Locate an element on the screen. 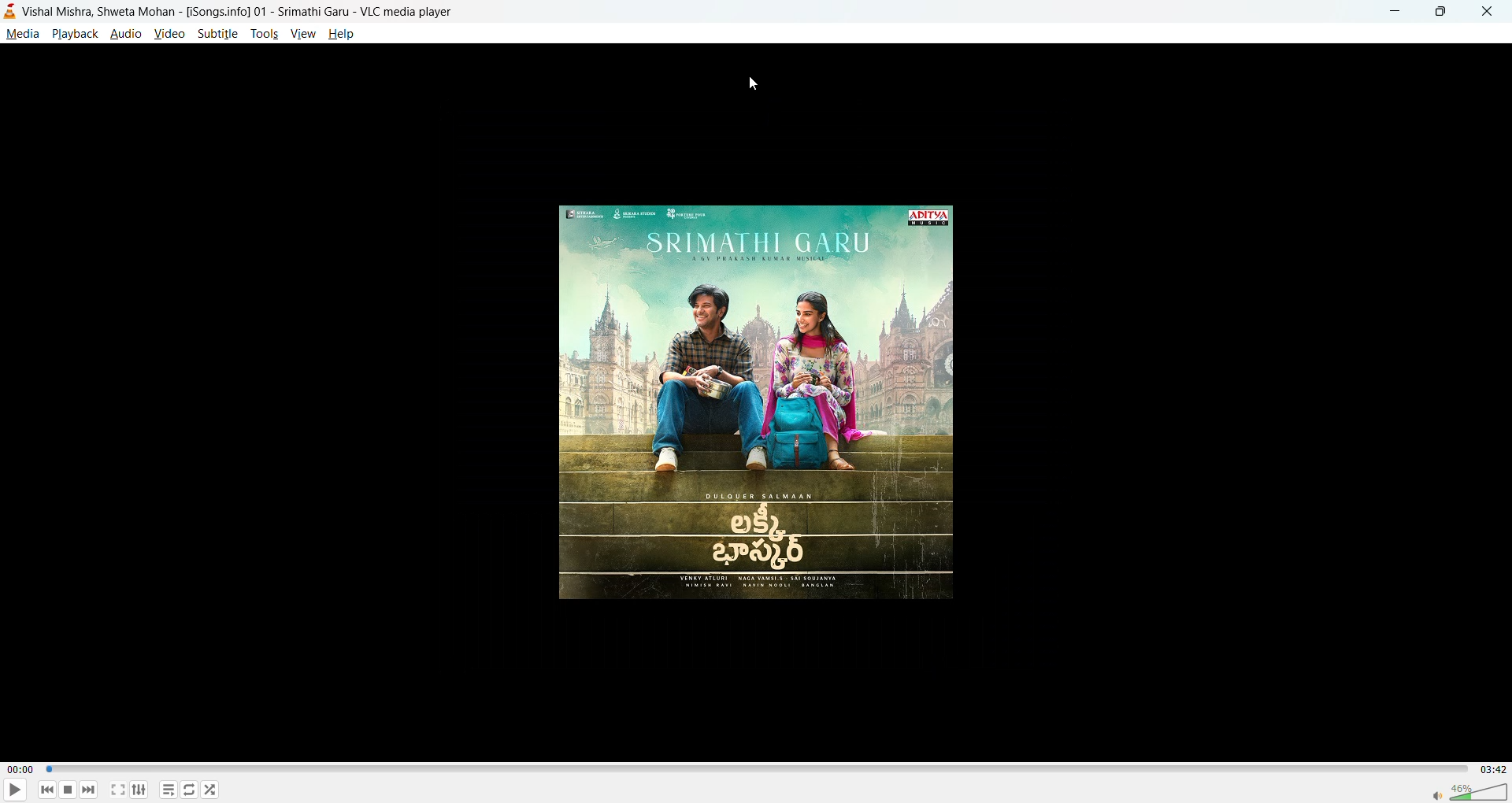  playlist is located at coordinates (171, 790).